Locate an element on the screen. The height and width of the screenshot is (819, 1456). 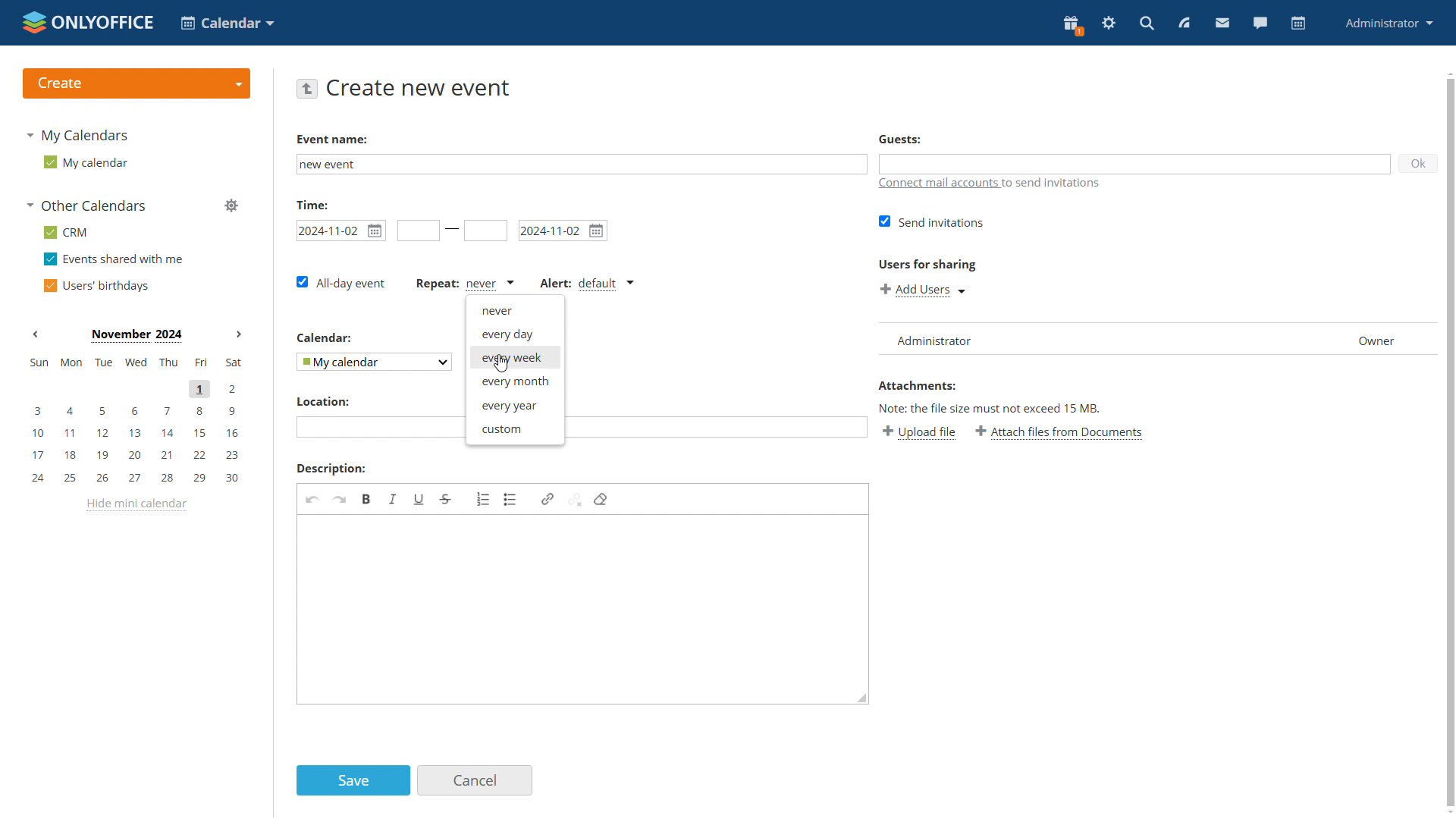
link is located at coordinates (548, 499).